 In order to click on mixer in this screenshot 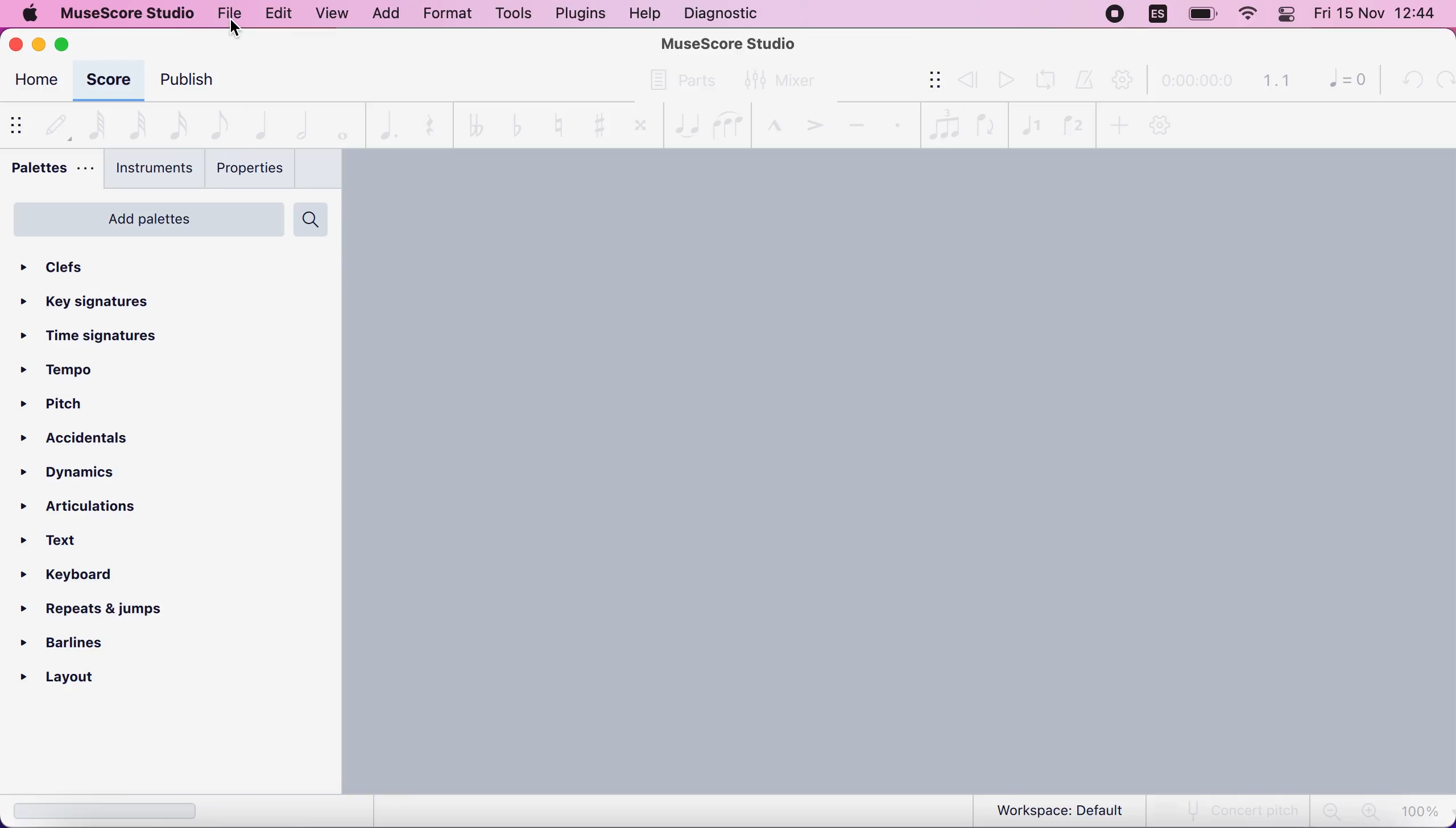, I will do `click(790, 80)`.